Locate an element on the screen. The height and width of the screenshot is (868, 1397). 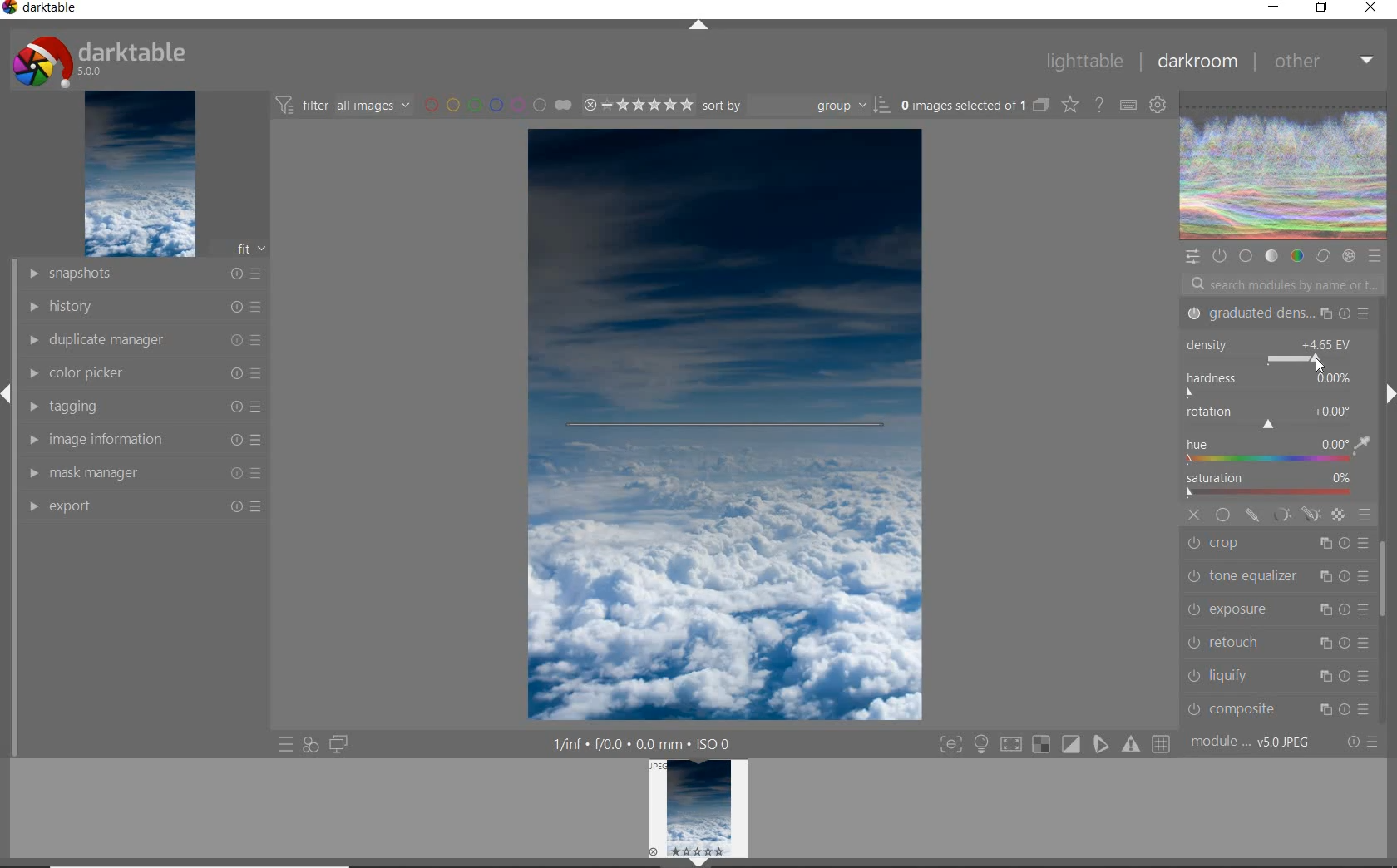
retouch is located at coordinates (1276, 642).